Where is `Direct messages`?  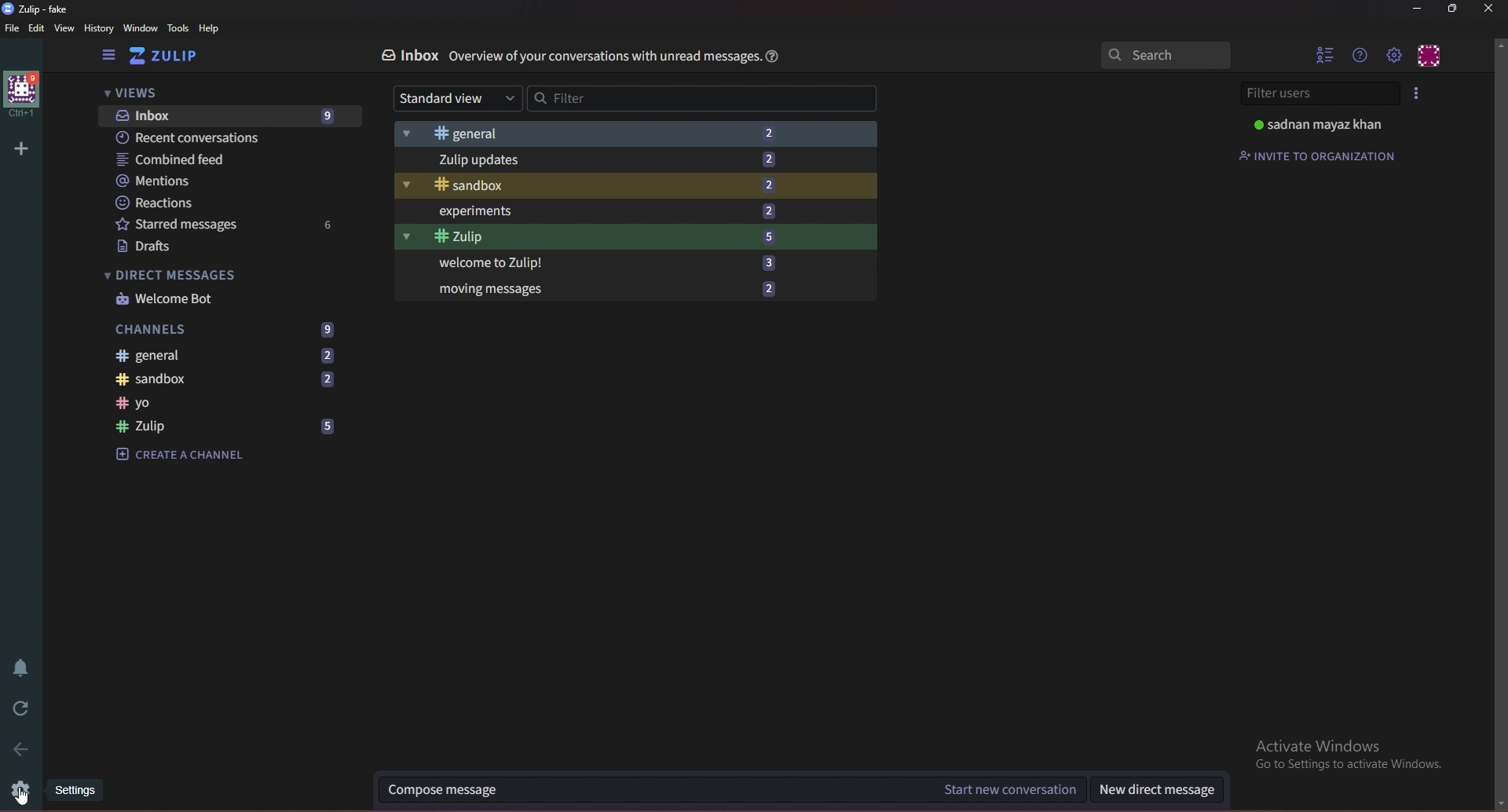
Direct messages is located at coordinates (192, 274).